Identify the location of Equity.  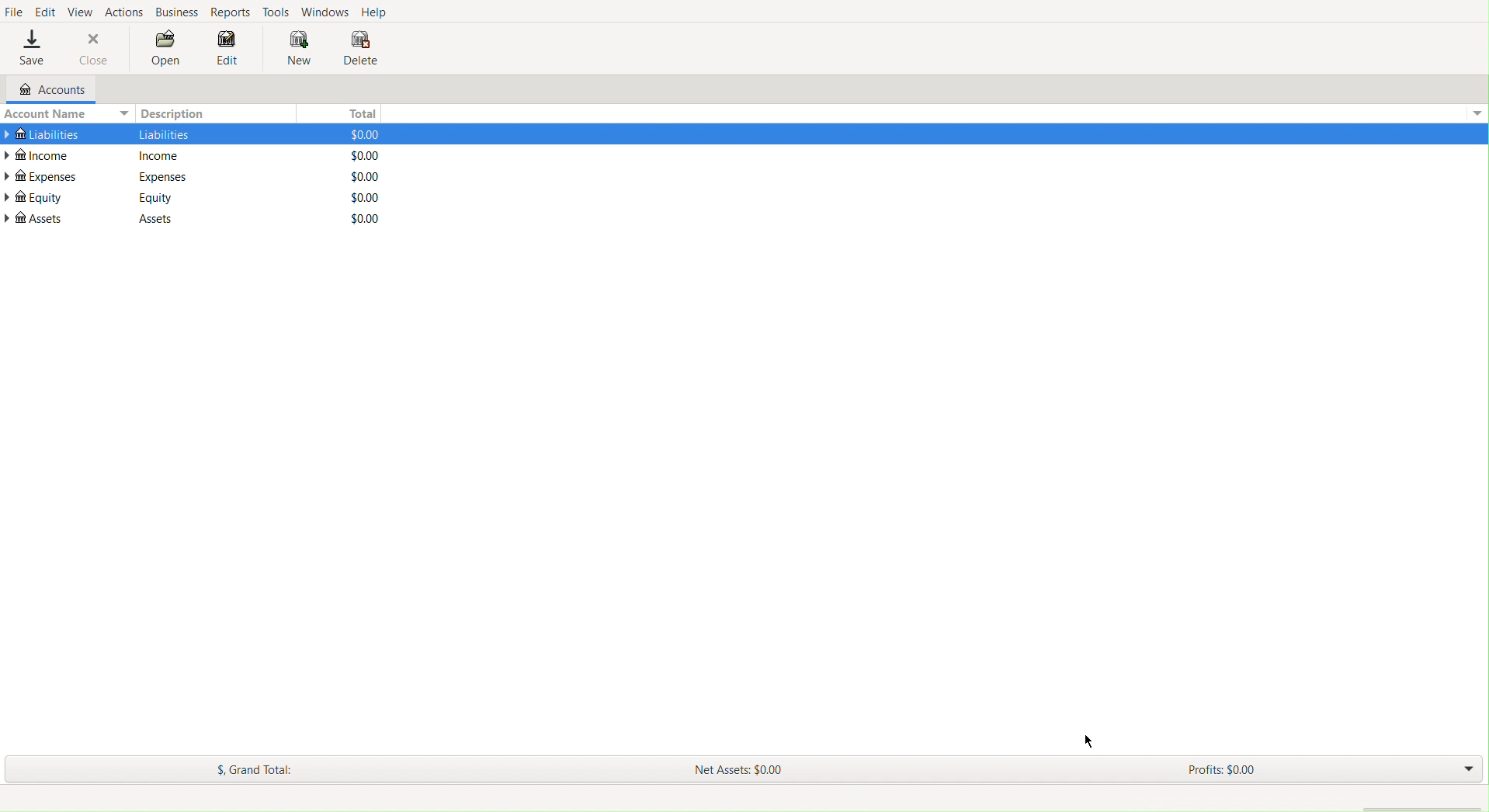
(157, 197).